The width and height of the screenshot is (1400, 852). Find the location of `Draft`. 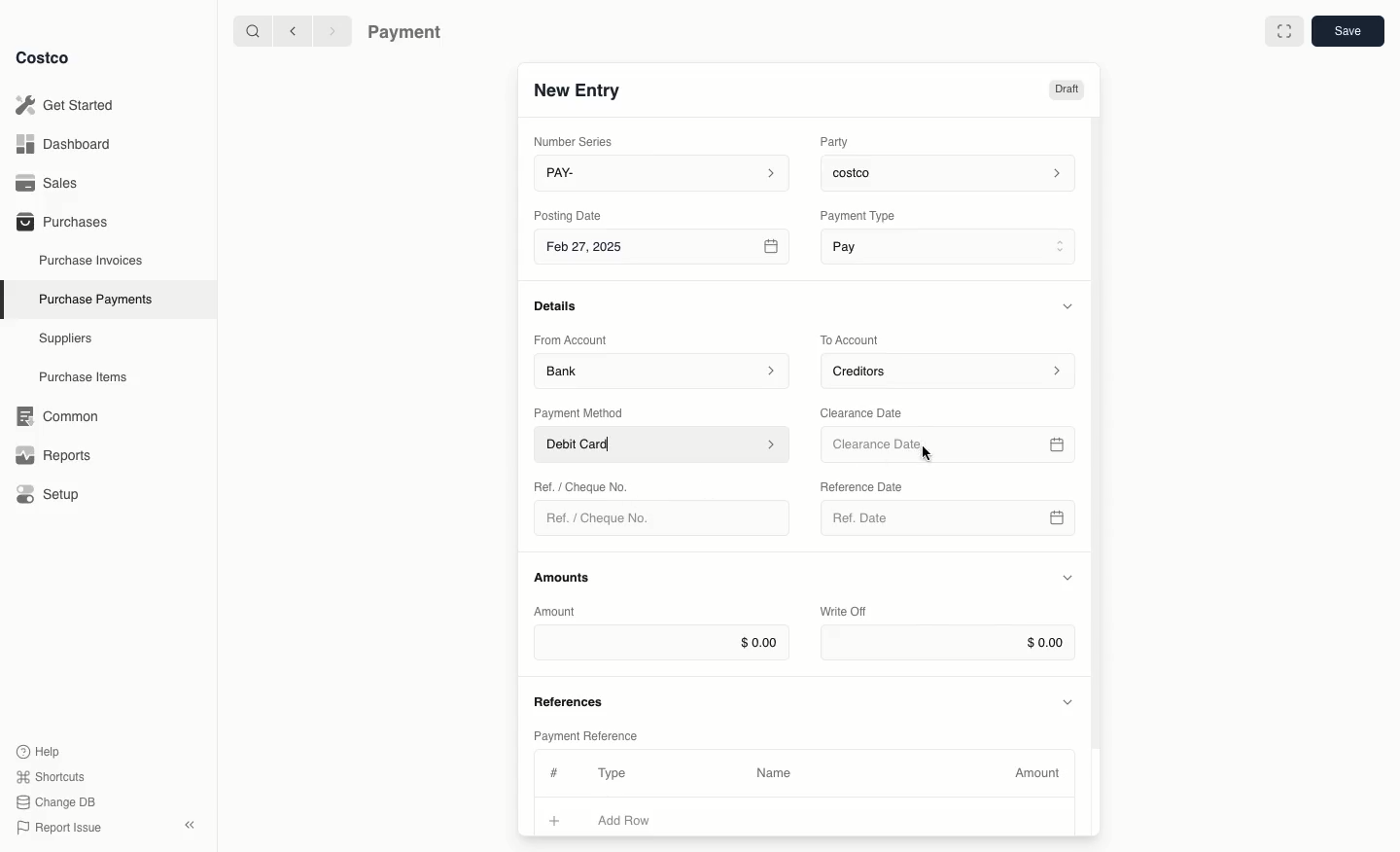

Draft is located at coordinates (1066, 89).